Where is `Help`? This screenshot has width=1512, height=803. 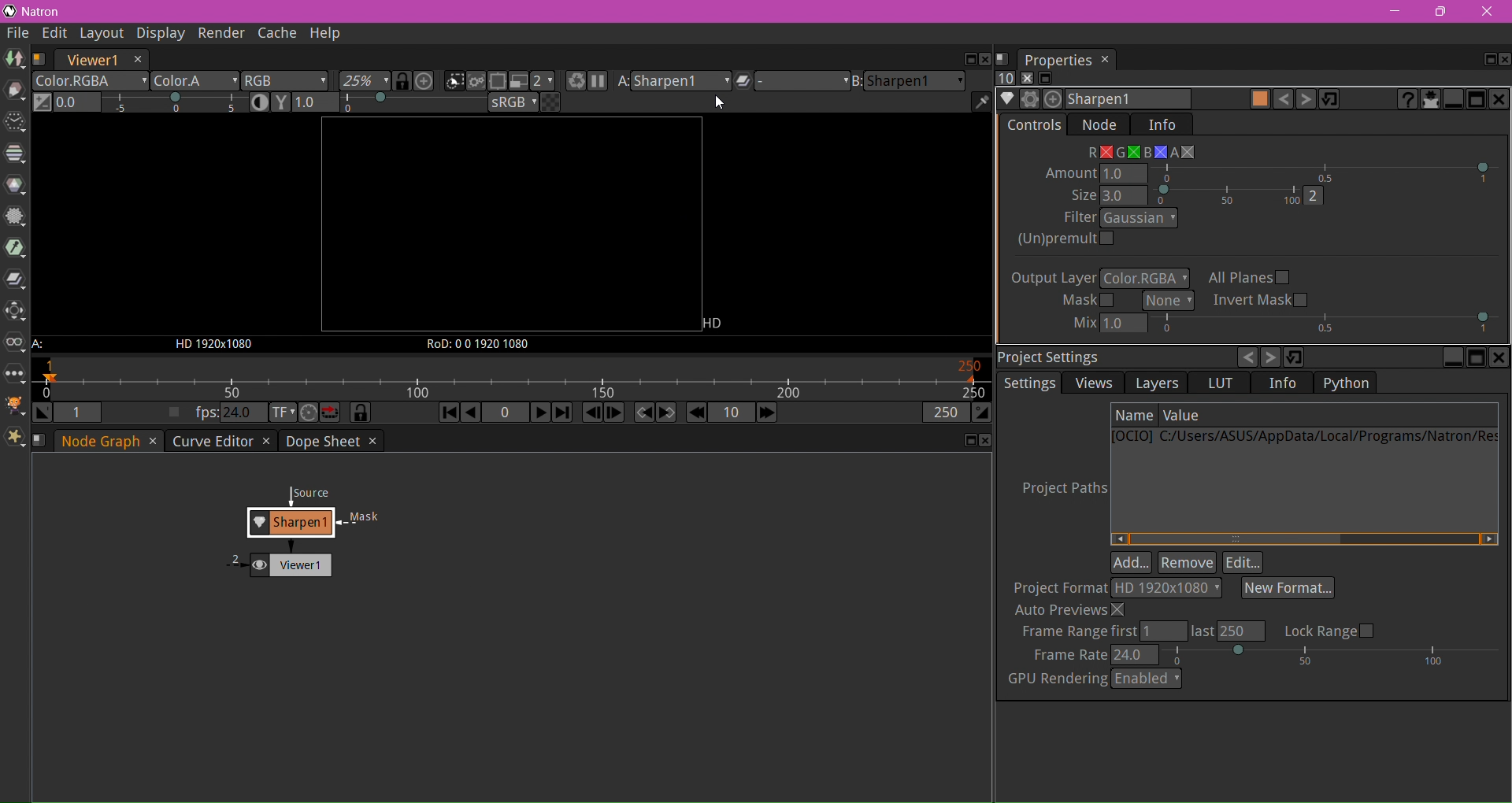
Help is located at coordinates (327, 34).